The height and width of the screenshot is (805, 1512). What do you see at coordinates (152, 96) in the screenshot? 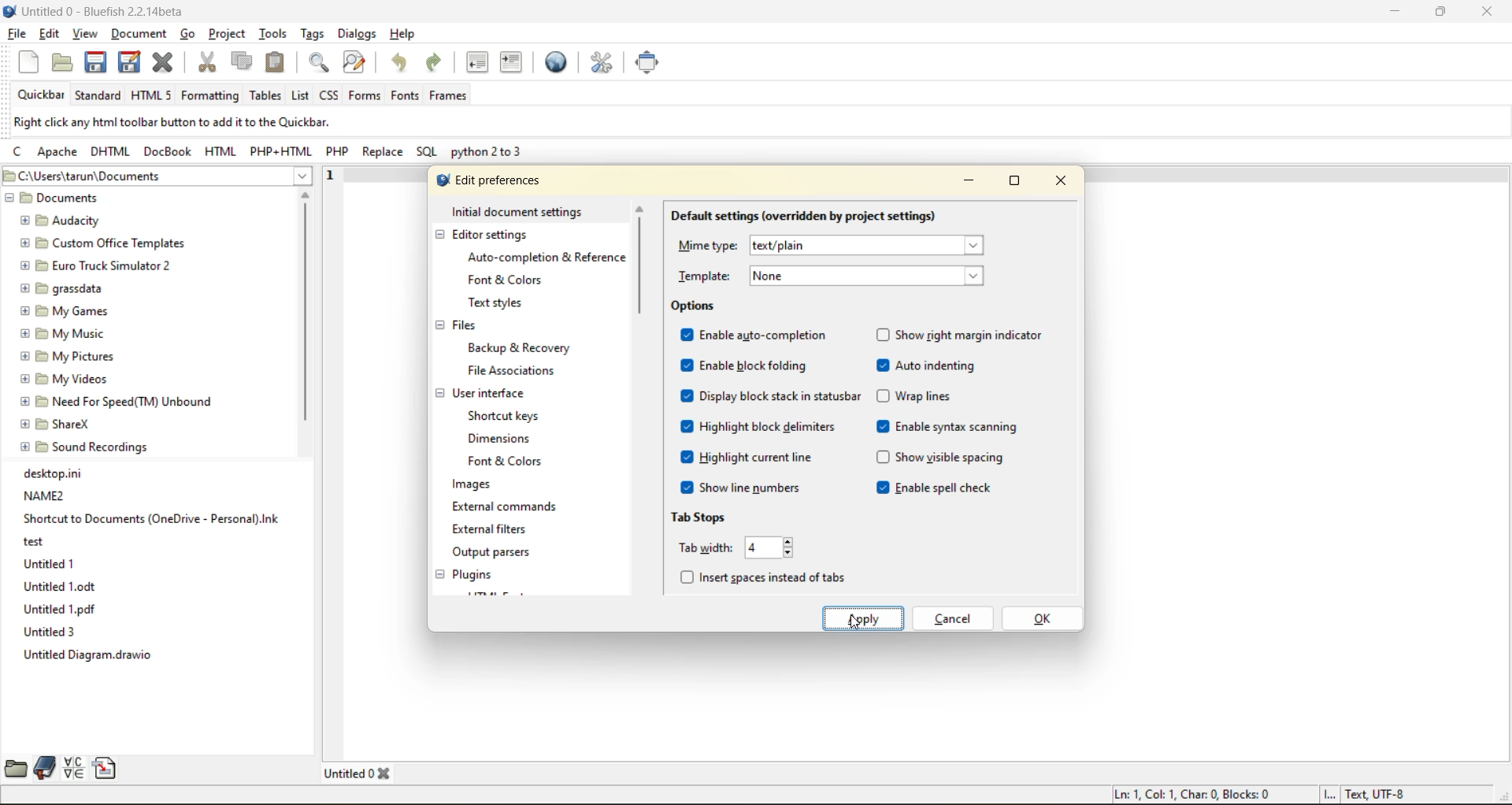
I see `html 5` at bounding box center [152, 96].